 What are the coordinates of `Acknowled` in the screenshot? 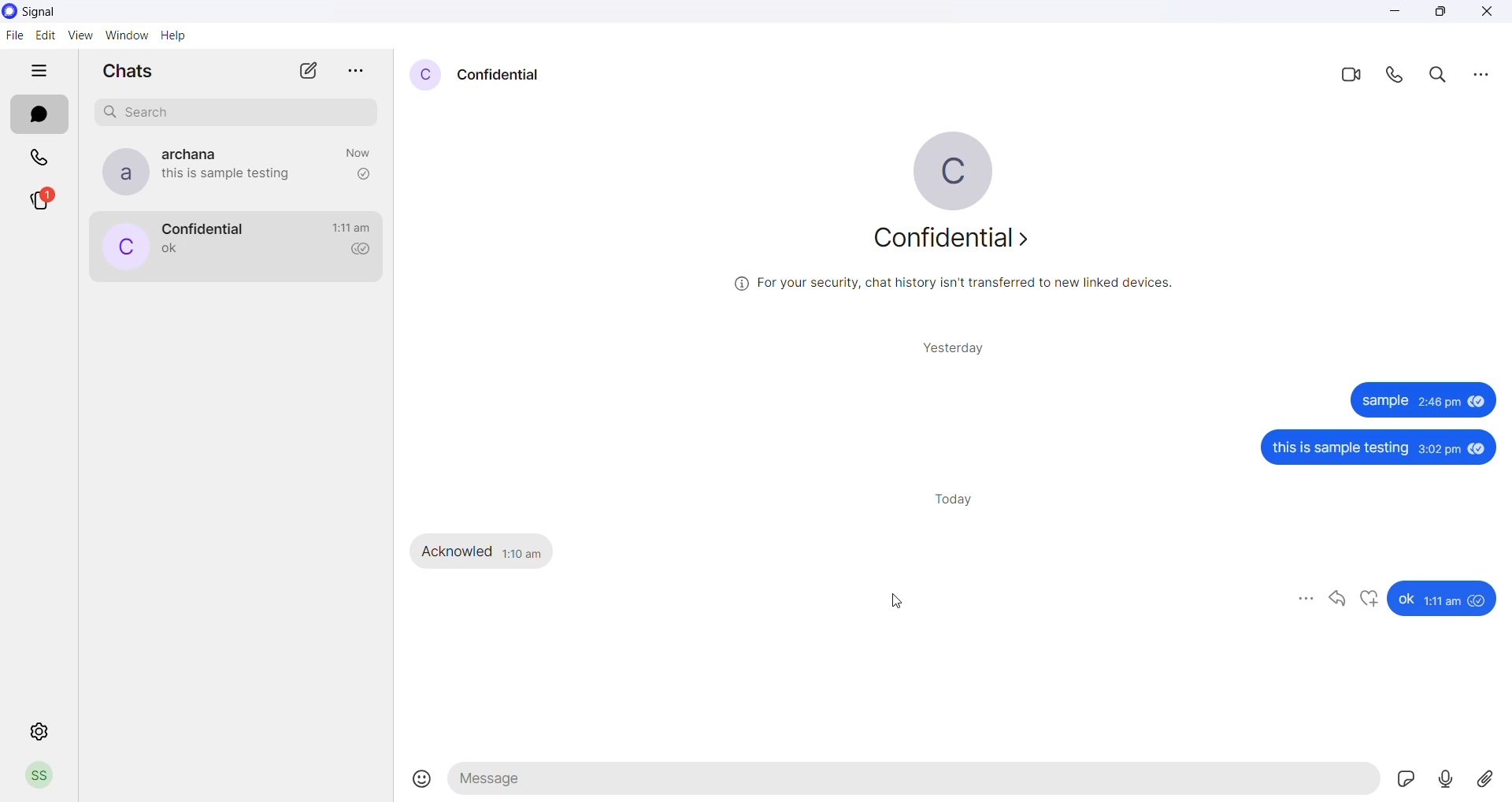 It's located at (458, 551).